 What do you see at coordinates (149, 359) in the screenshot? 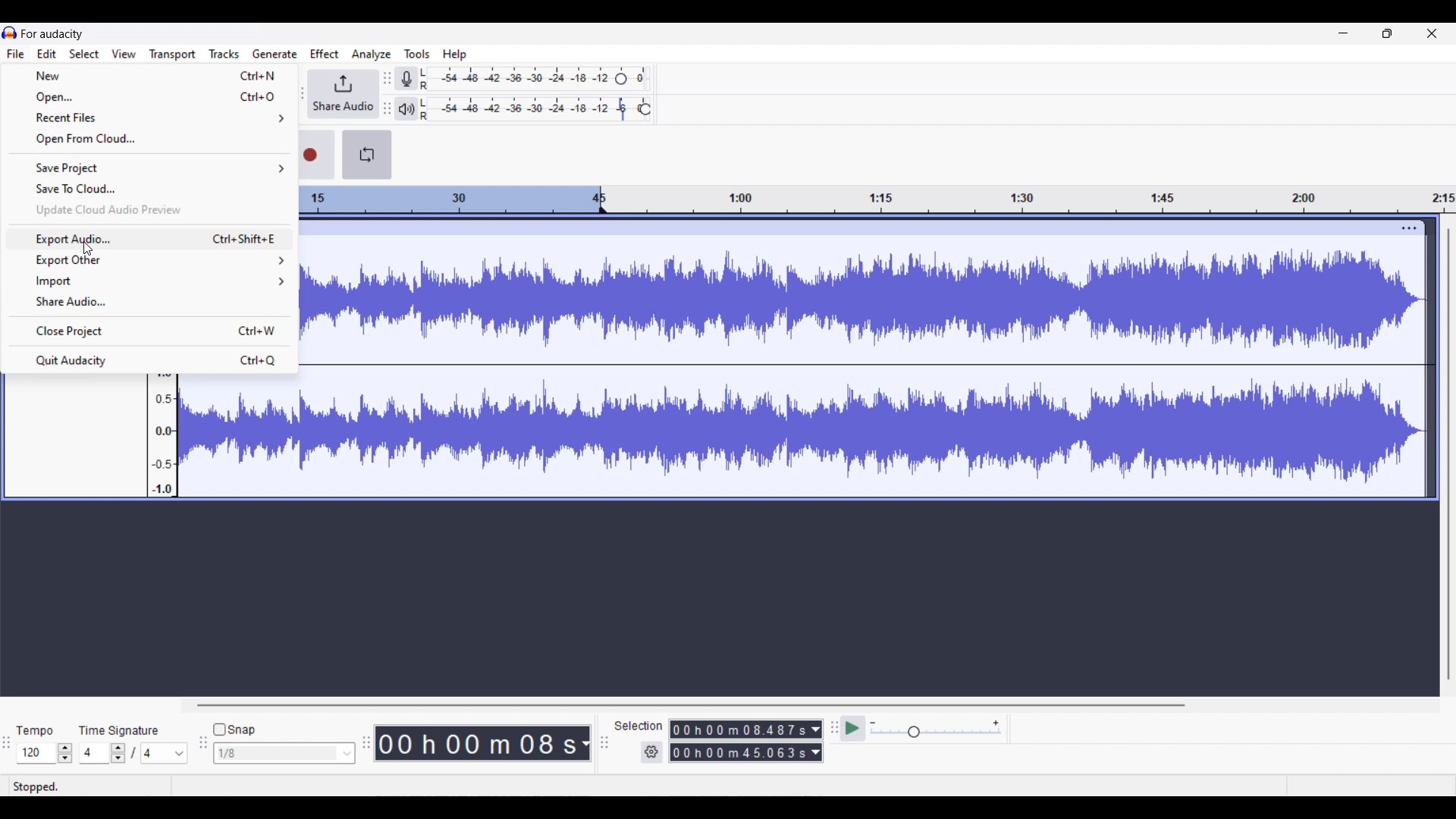
I see `Quit Audacity` at bounding box center [149, 359].